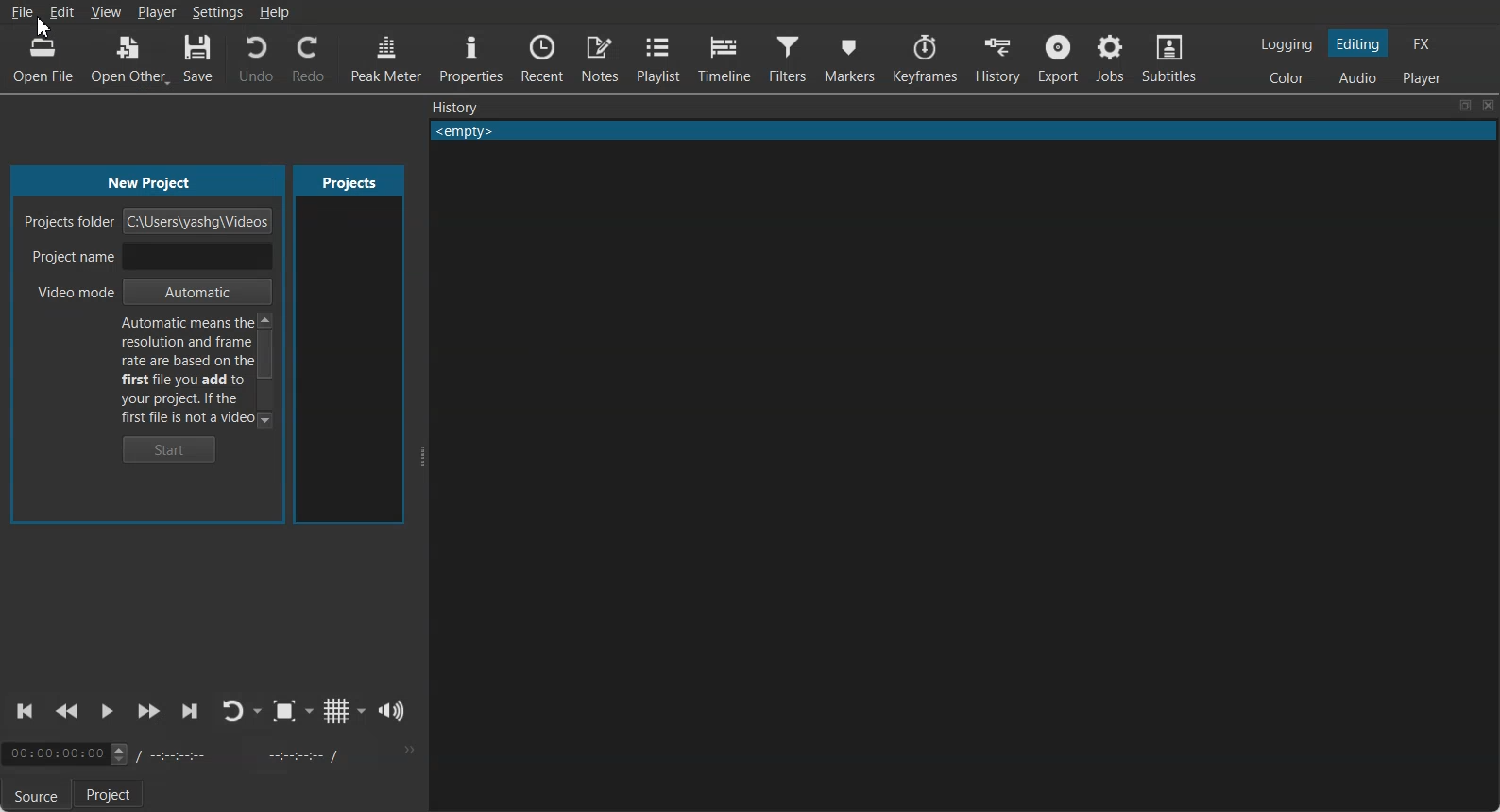 This screenshot has width=1500, height=812. What do you see at coordinates (1287, 78) in the screenshot?
I see `Switching to color Layout` at bounding box center [1287, 78].